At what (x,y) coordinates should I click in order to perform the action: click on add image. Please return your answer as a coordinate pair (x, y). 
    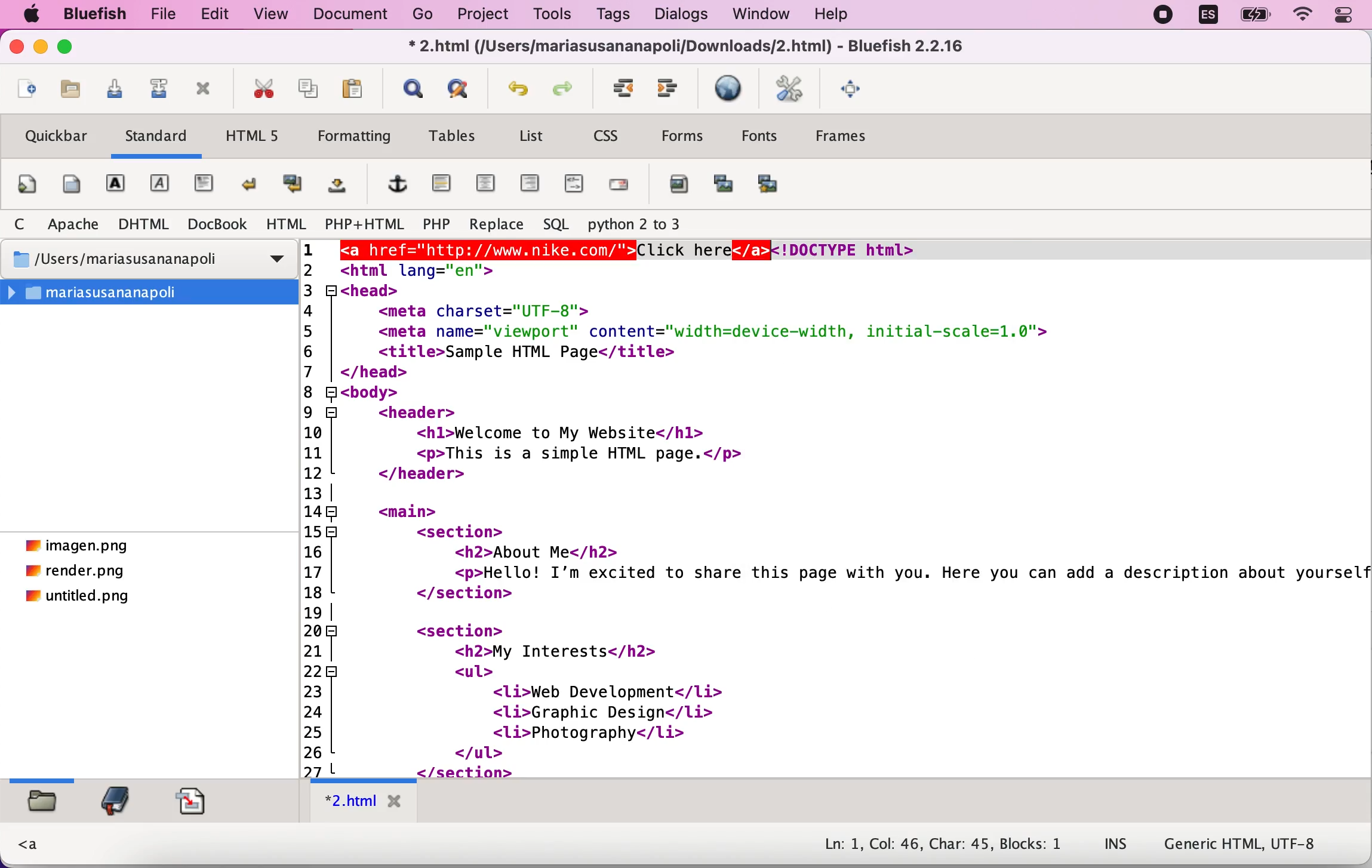
    Looking at the image, I should click on (679, 190).